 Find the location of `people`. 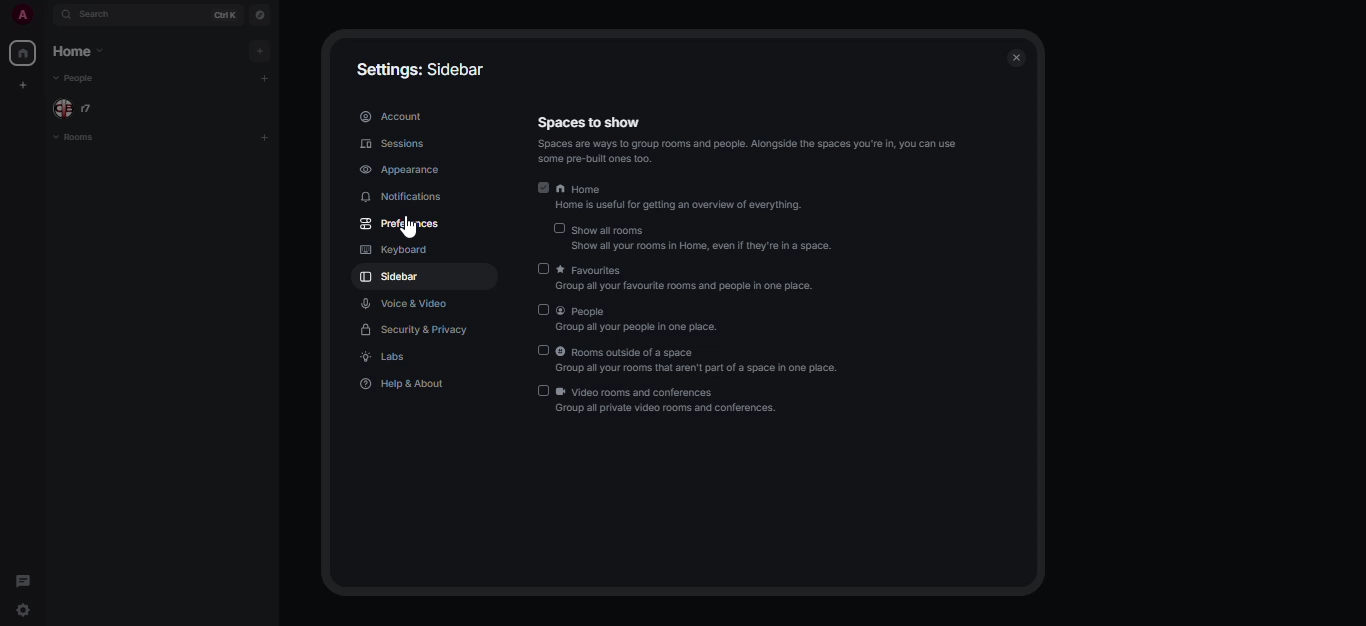

people is located at coordinates (78, 109).